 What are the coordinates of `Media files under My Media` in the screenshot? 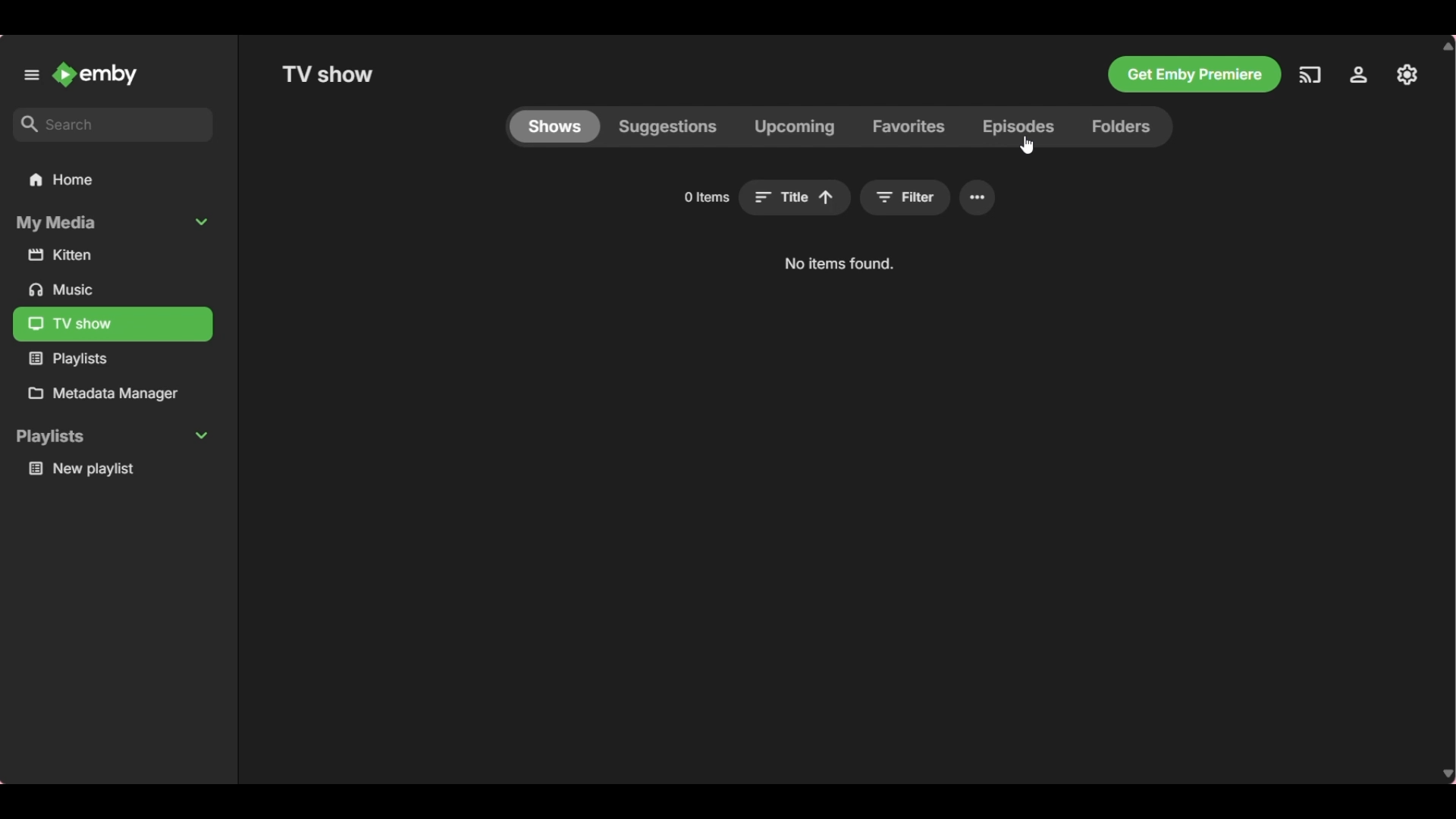 It's located at (67, 290).